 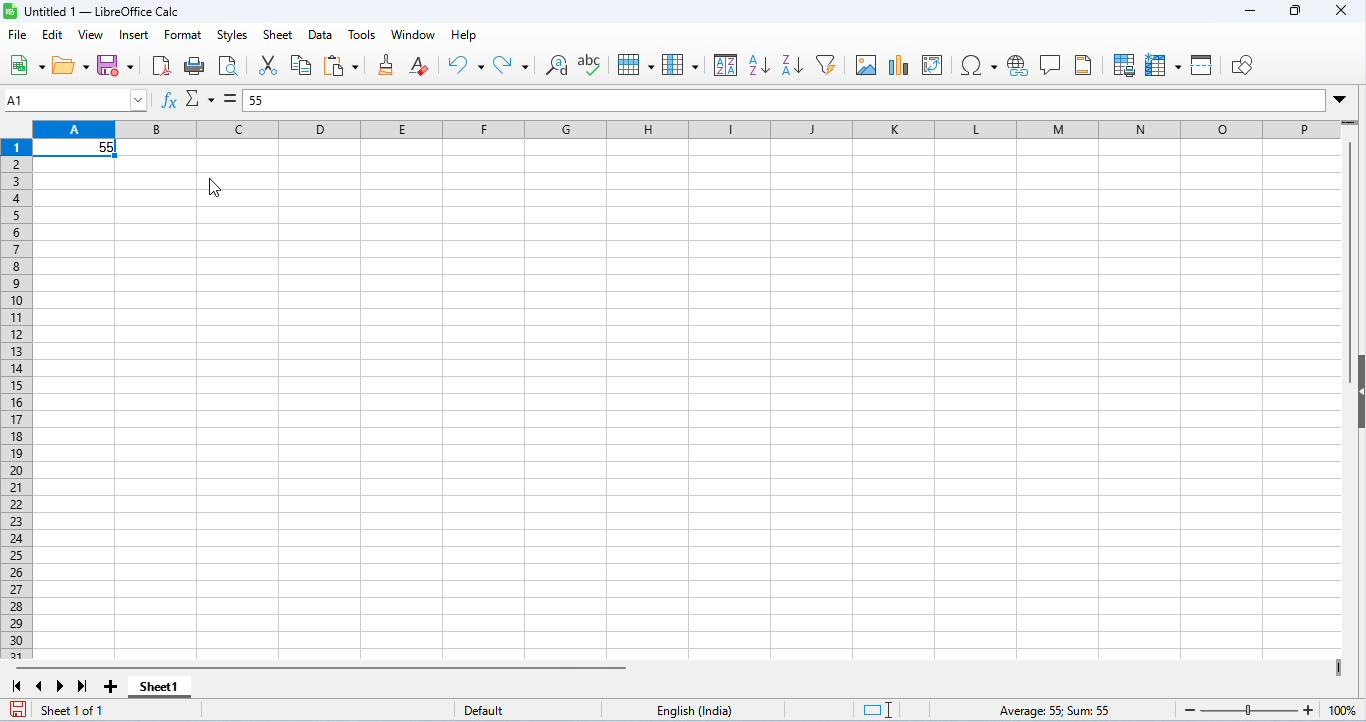 I want to click on number in default style, so click(x=78, y=149).